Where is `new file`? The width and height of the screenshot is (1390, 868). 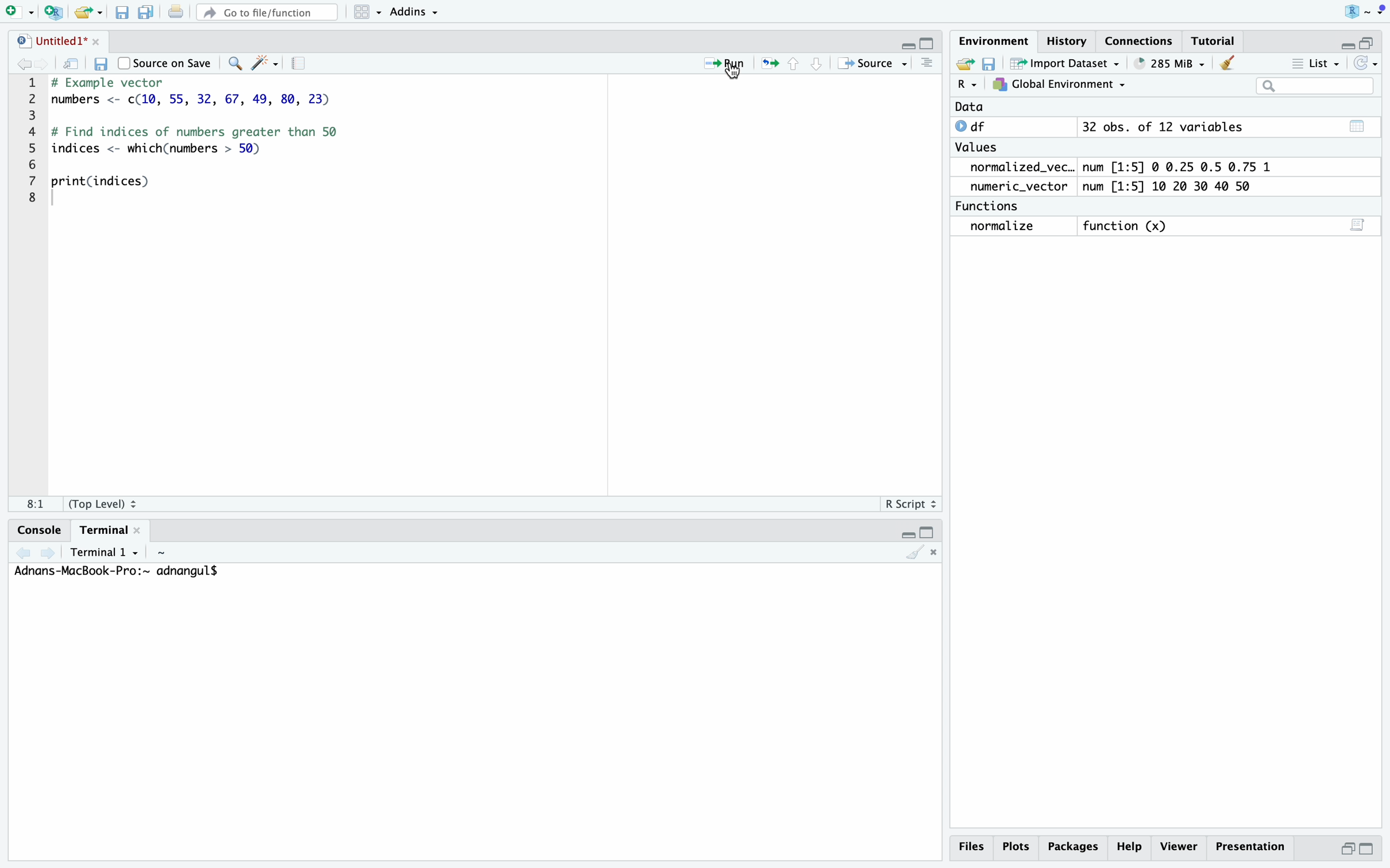
new file is located at coordinates (17, 12).